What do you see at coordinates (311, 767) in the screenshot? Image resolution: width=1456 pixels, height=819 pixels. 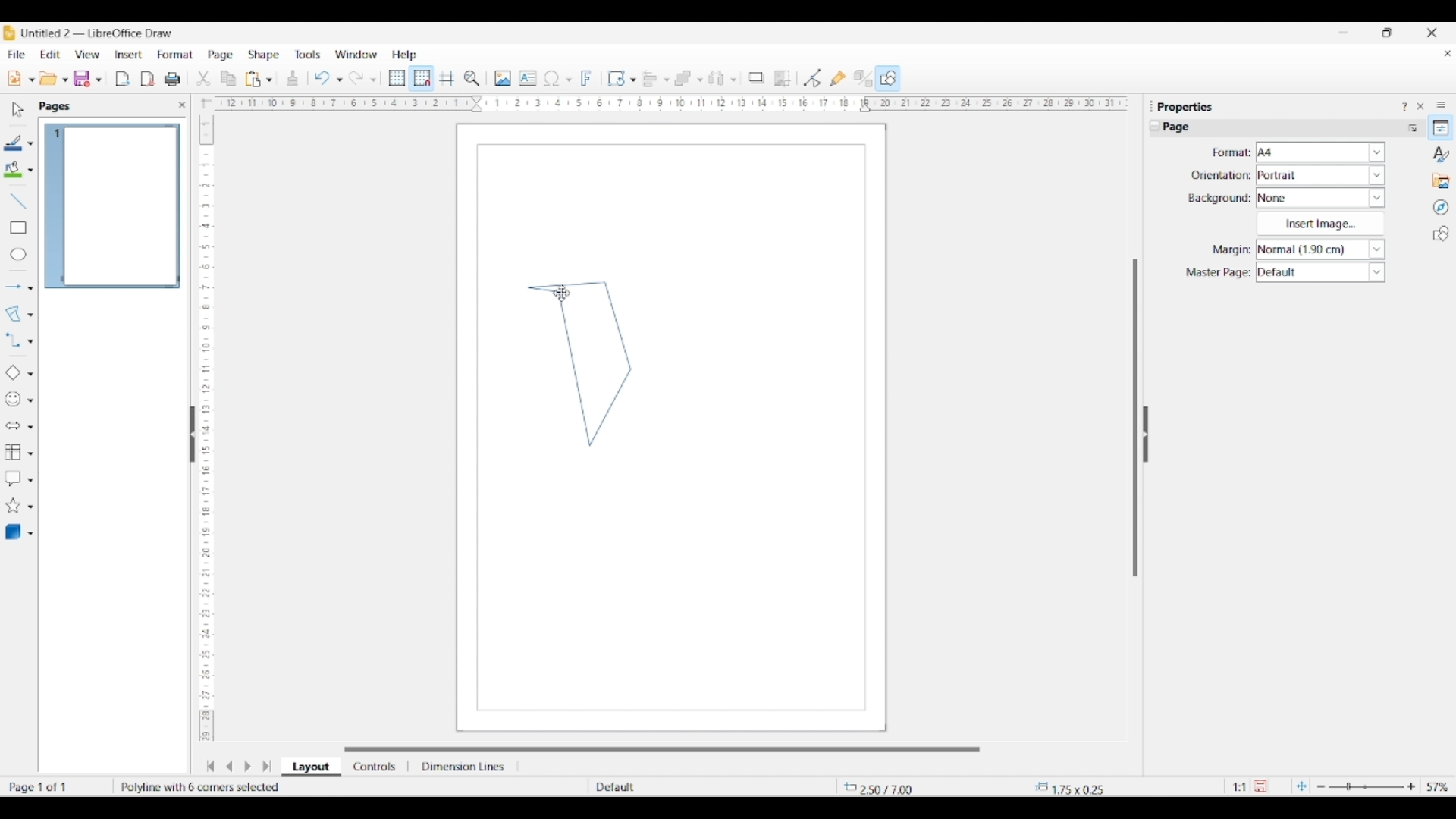 I see `Layout selected` at bounding box center [311, 767].